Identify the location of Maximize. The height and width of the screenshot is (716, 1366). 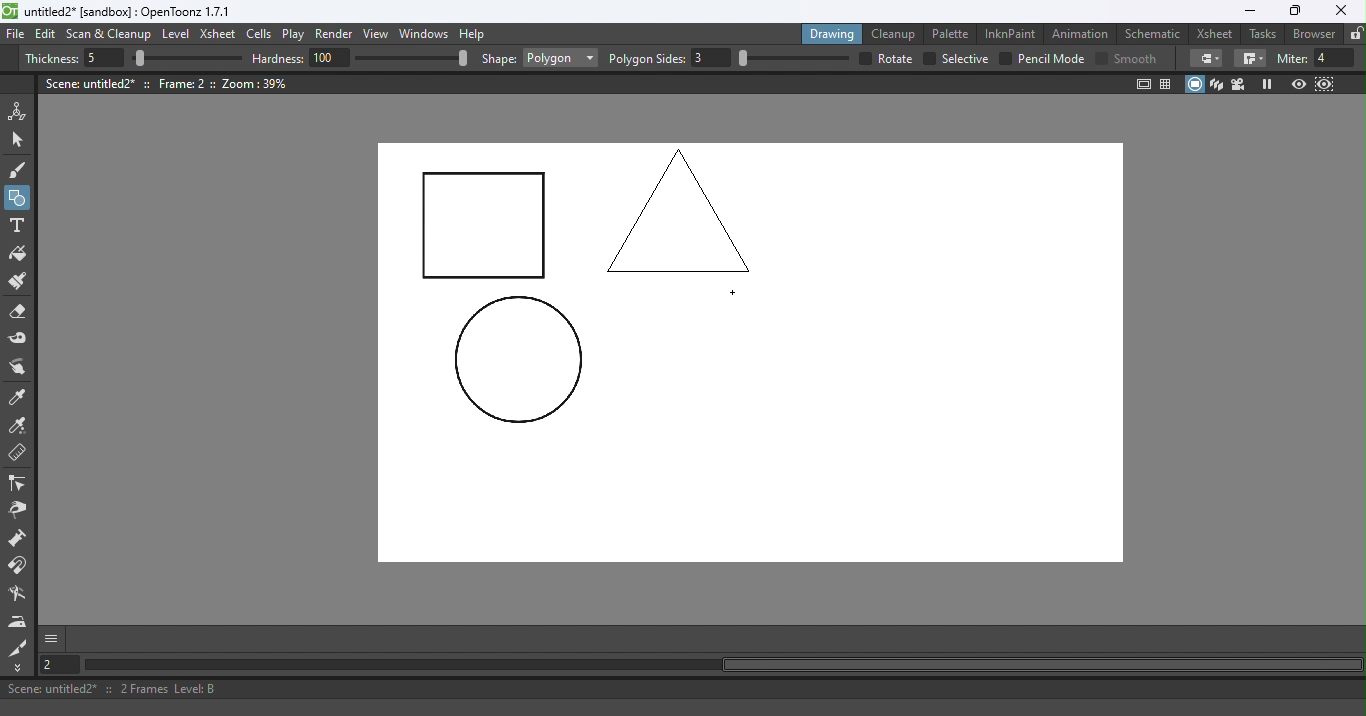
(1292, 12).